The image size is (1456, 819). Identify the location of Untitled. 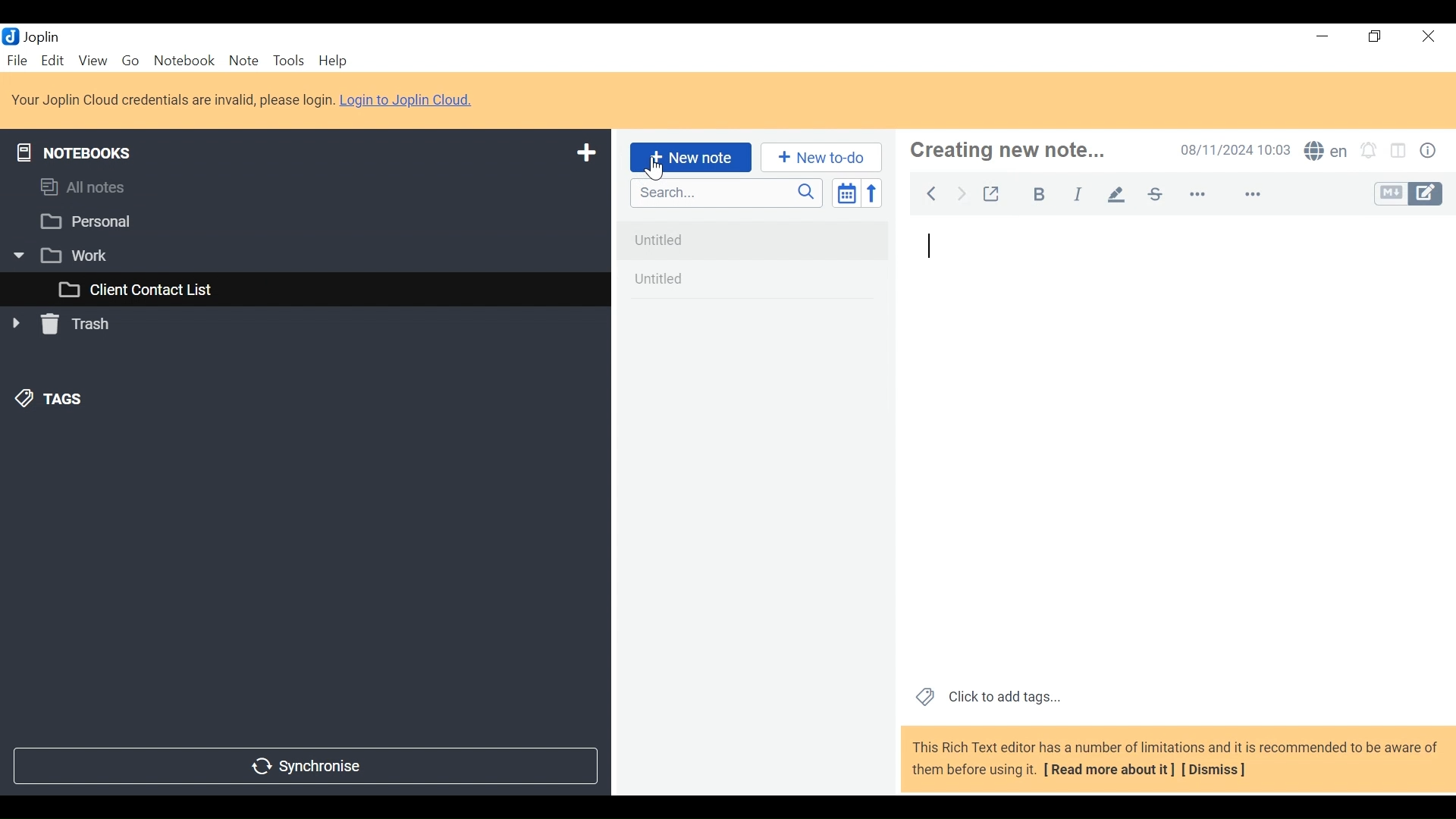
(755, 281).